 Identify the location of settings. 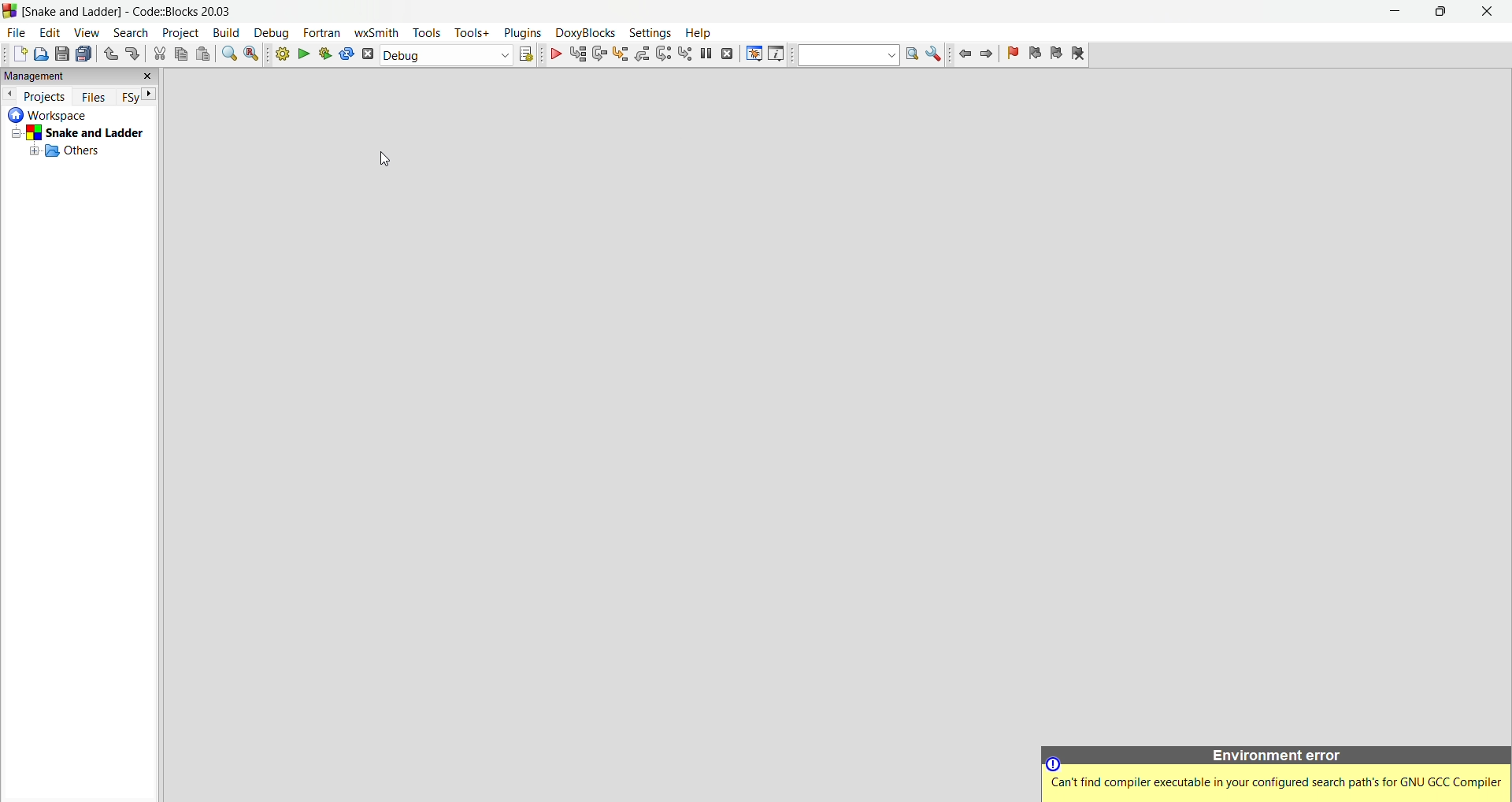
(648, 32).